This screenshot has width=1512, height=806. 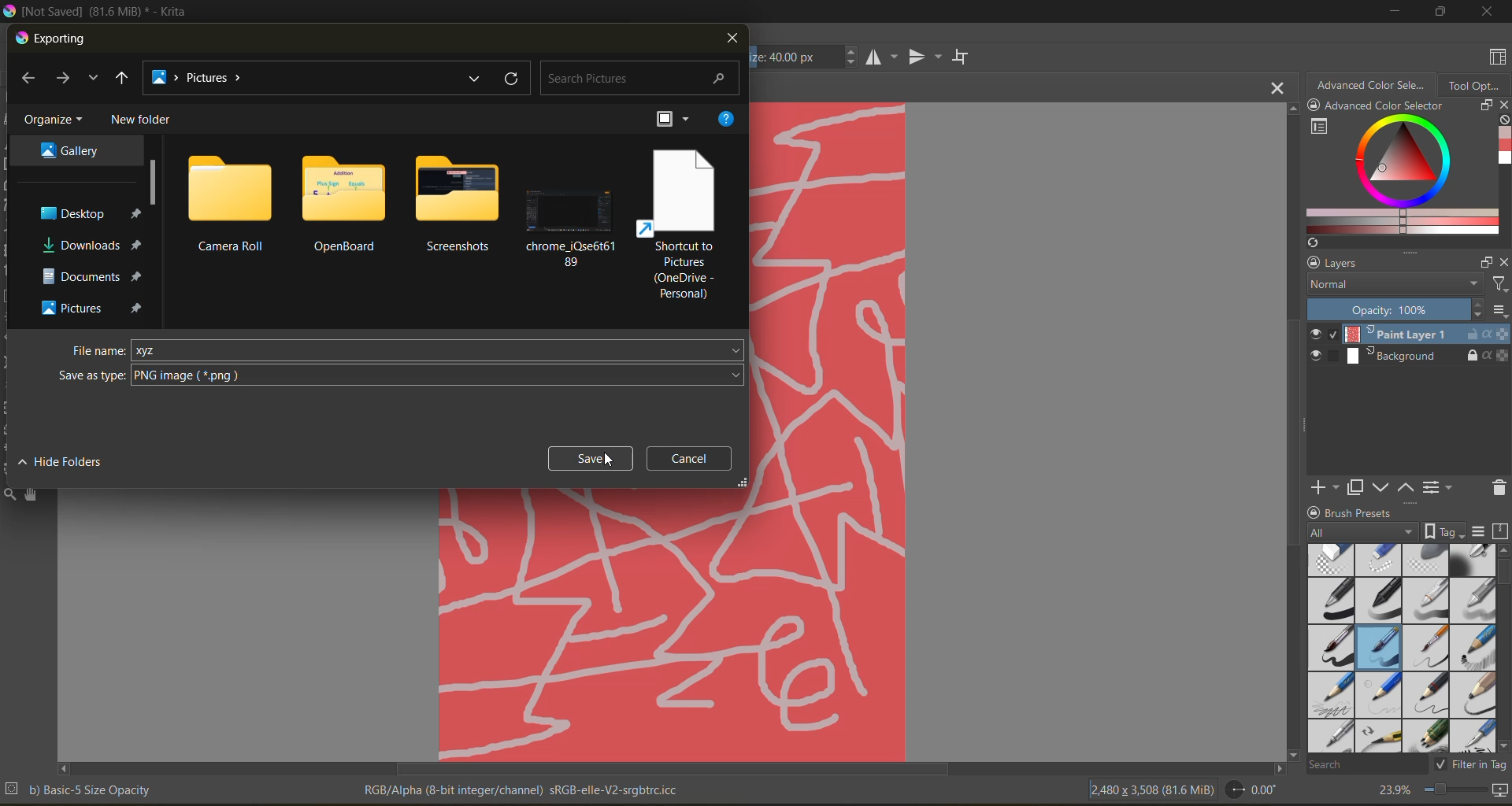 I want to click on close, so click(x=1503, y=106).